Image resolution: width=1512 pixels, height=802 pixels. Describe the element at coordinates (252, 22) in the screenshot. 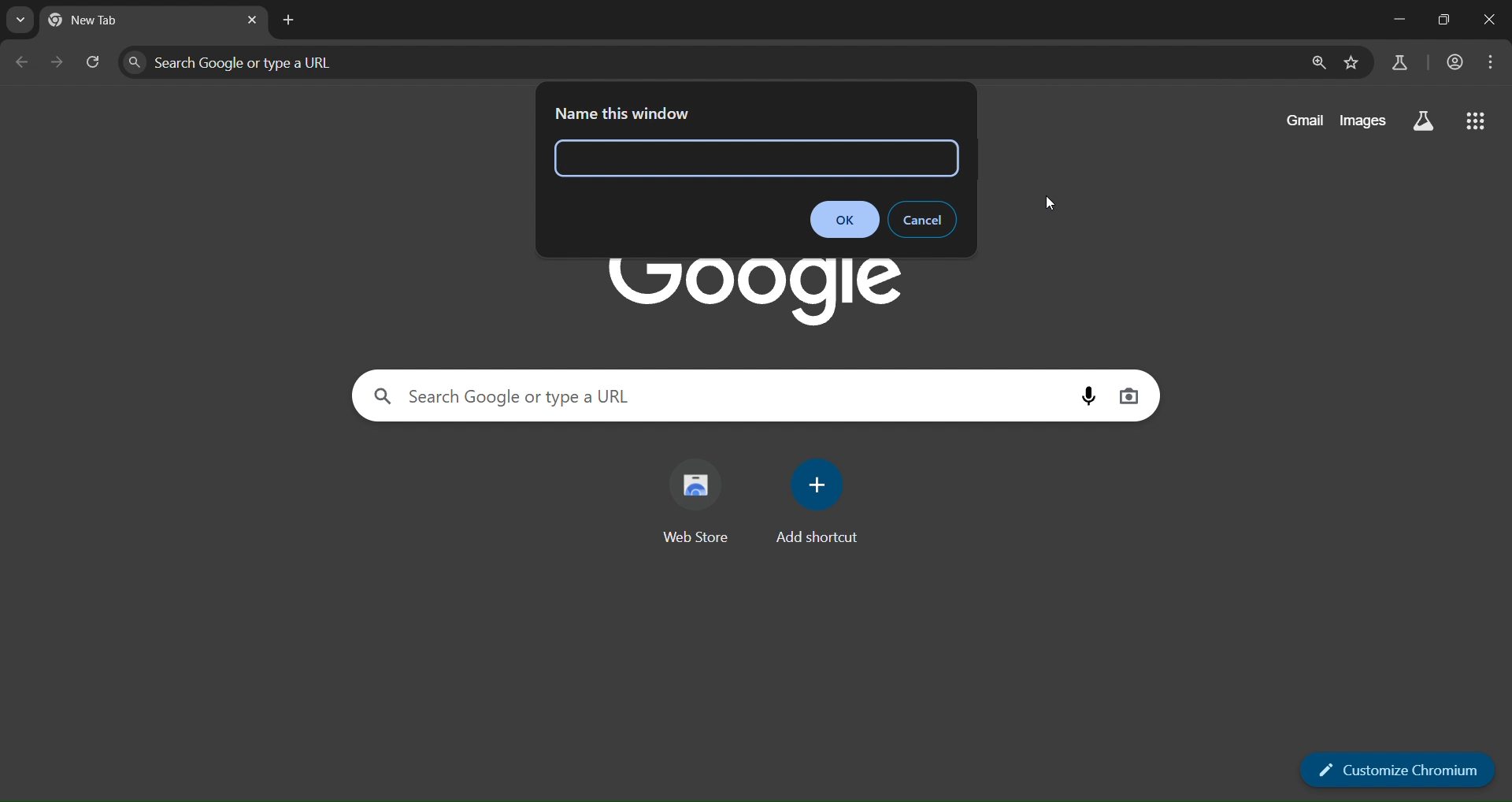

I see `close tab` at that location.